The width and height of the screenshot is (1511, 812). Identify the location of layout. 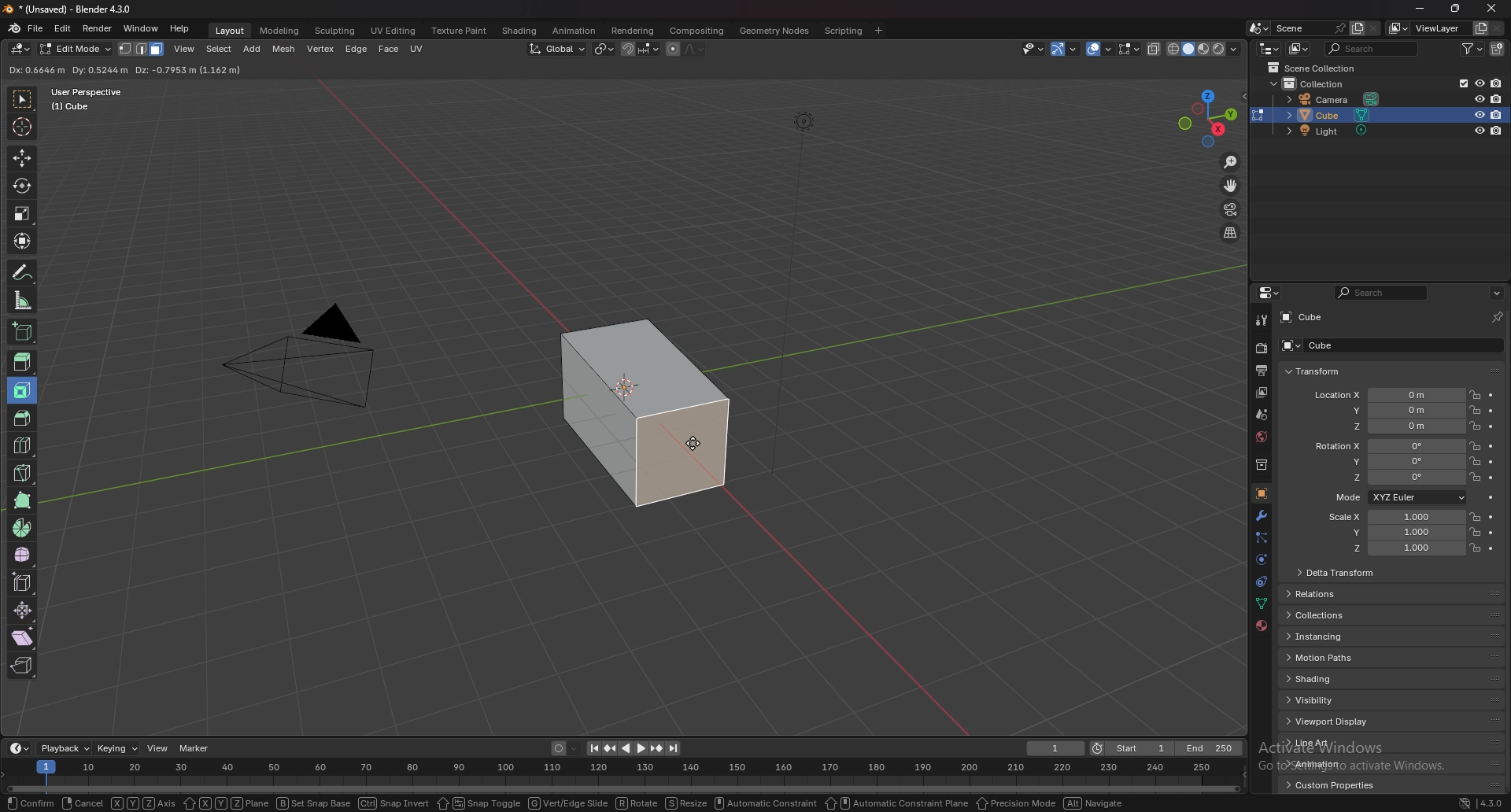
(231, 31).